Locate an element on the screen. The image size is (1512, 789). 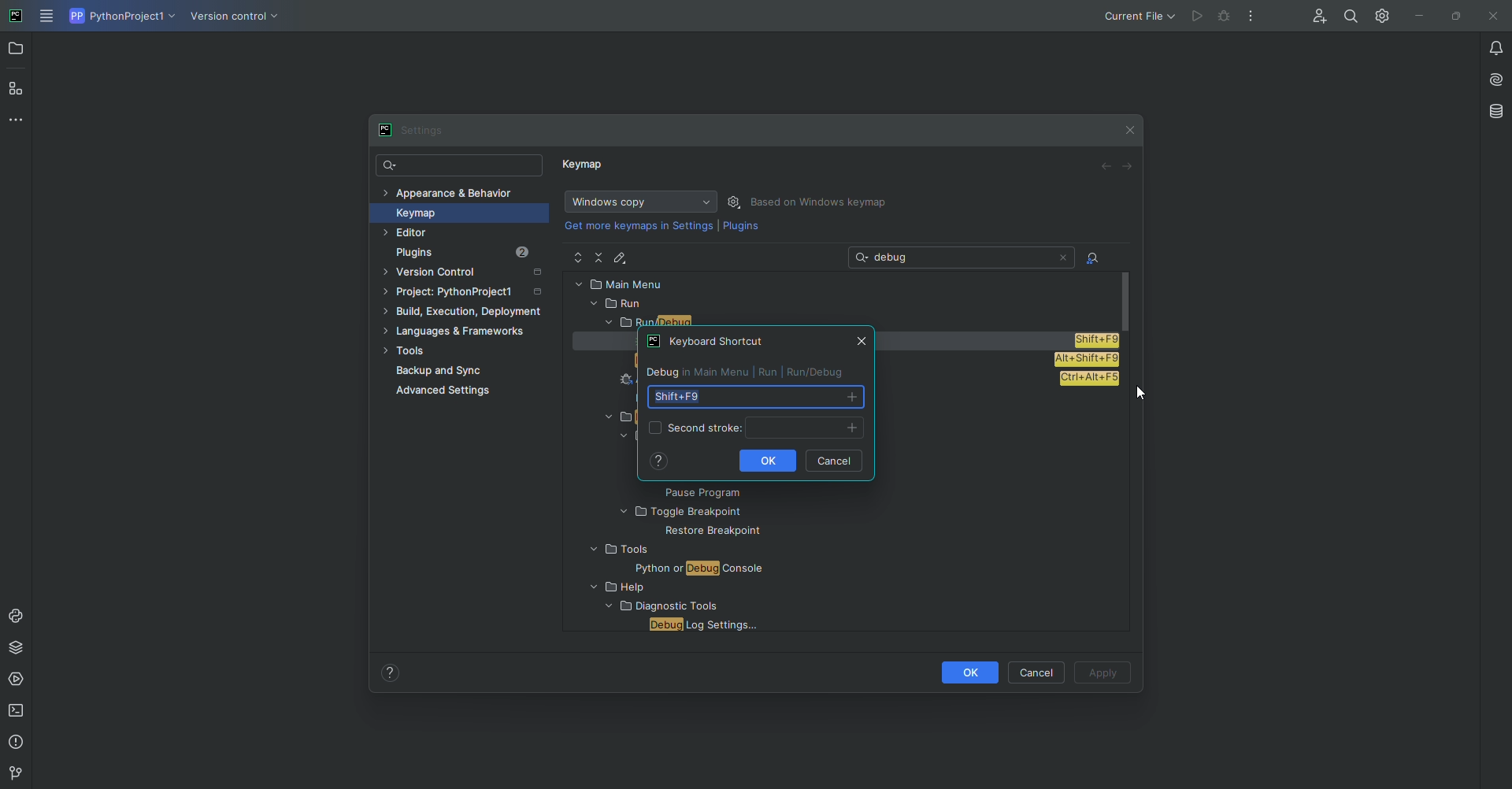
Current file is located at coordinates (1138, 16).